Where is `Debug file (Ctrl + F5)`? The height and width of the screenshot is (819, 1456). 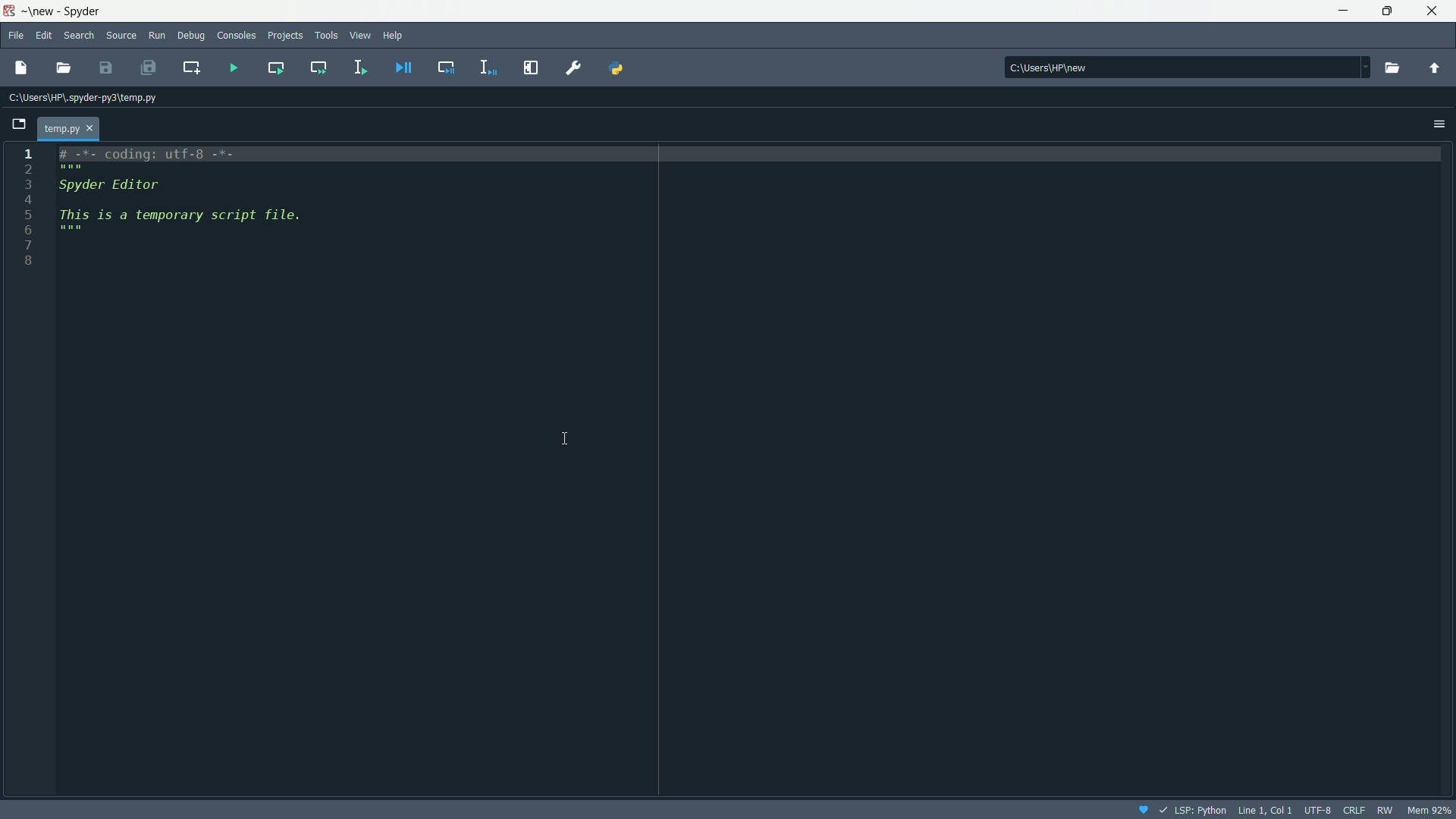 Debug file (Ctrl + F5) is located at coordinates (405, 67).